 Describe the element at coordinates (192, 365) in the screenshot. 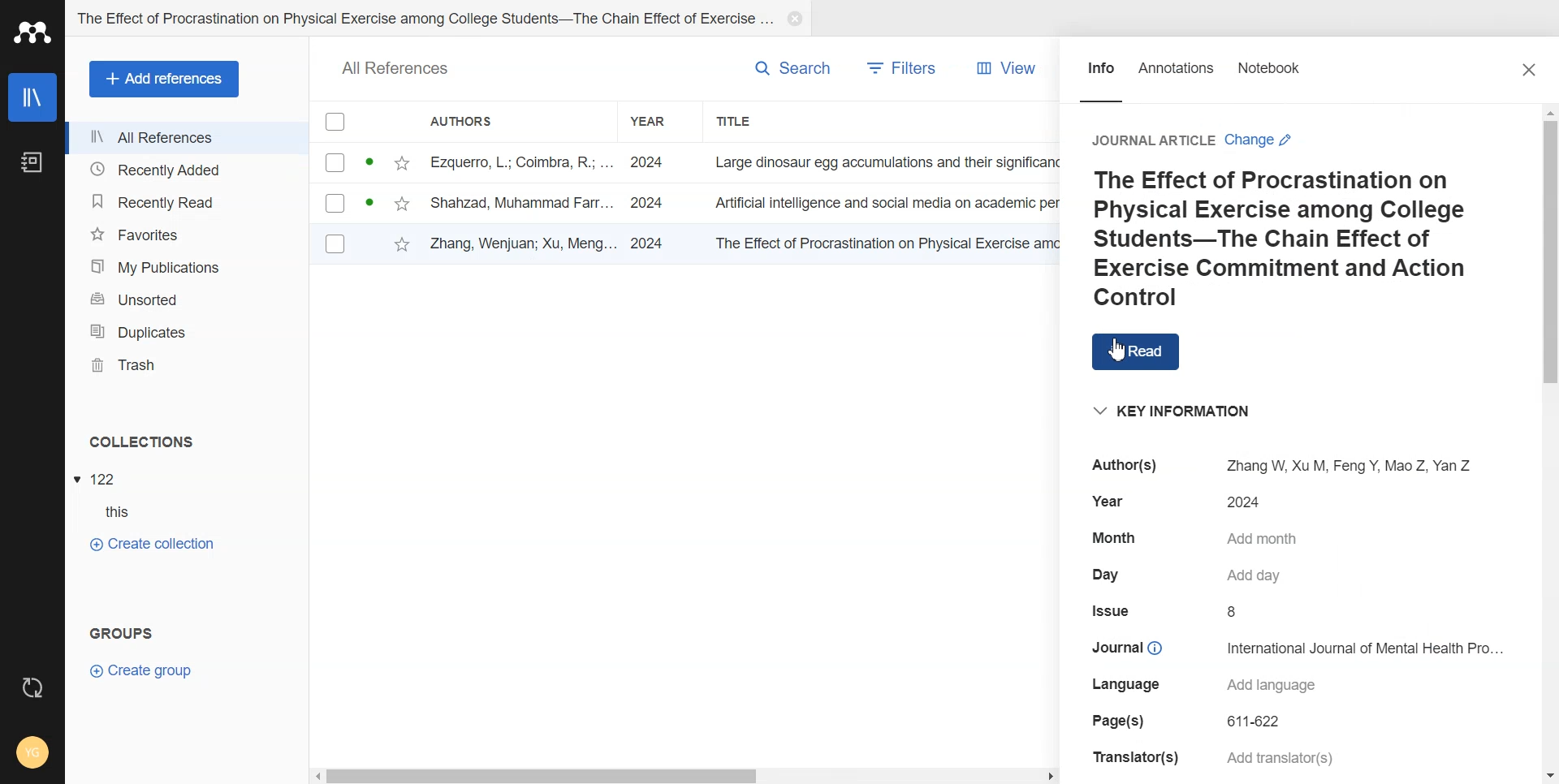

I see `Trash` at that location.